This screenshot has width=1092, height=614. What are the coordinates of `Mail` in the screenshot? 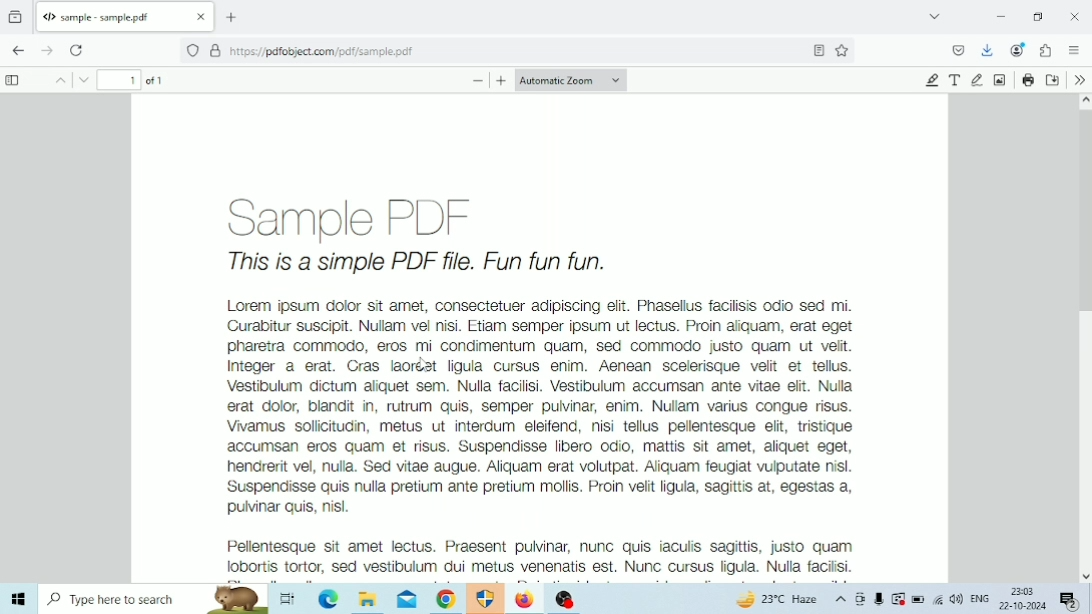 It's located at (407, 600).